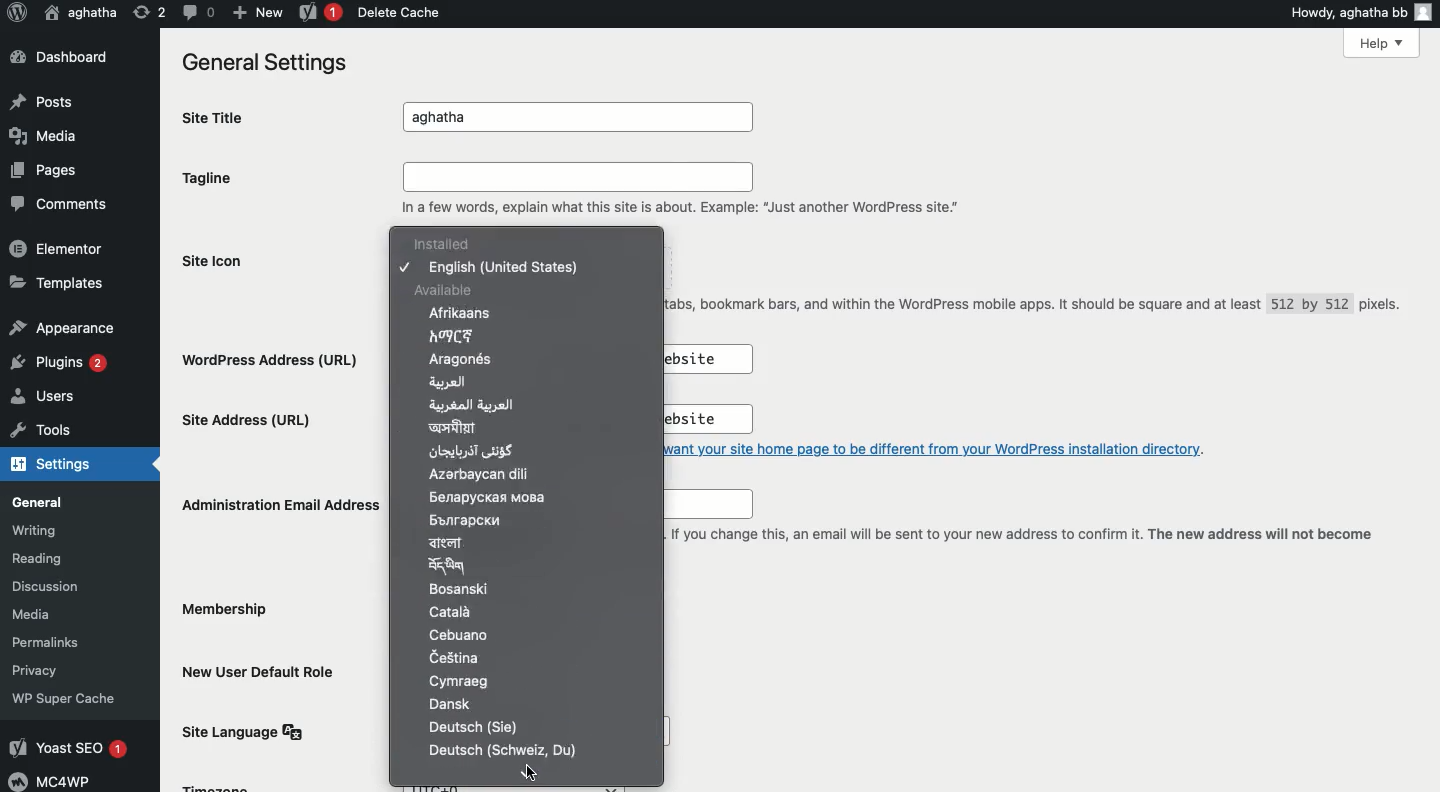 This screenshot has height=792, width=1440. I want to click on Administration email address, so click(278, 503).